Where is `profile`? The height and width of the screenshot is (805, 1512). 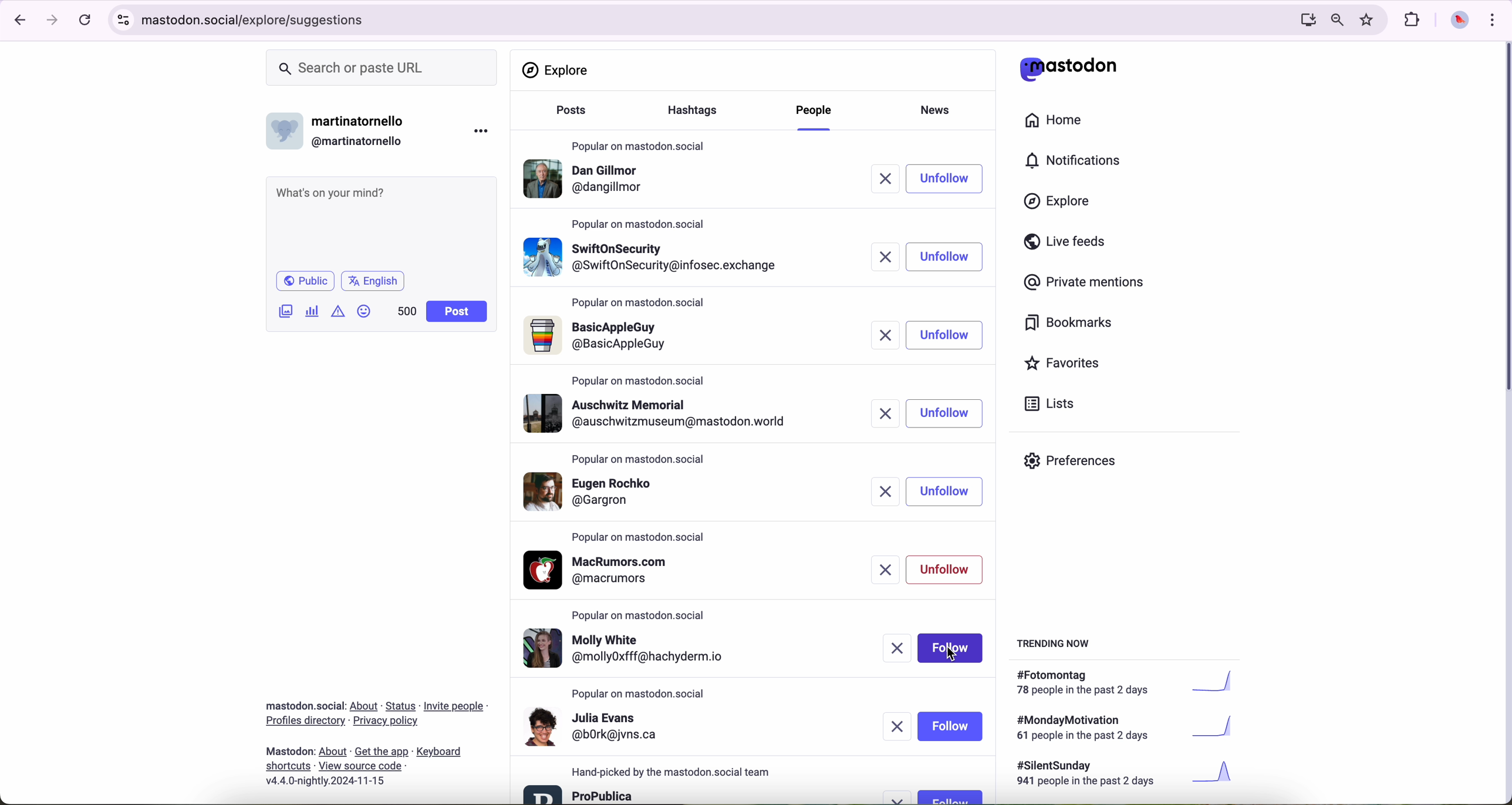
profile is located at coordinates (580, 793).